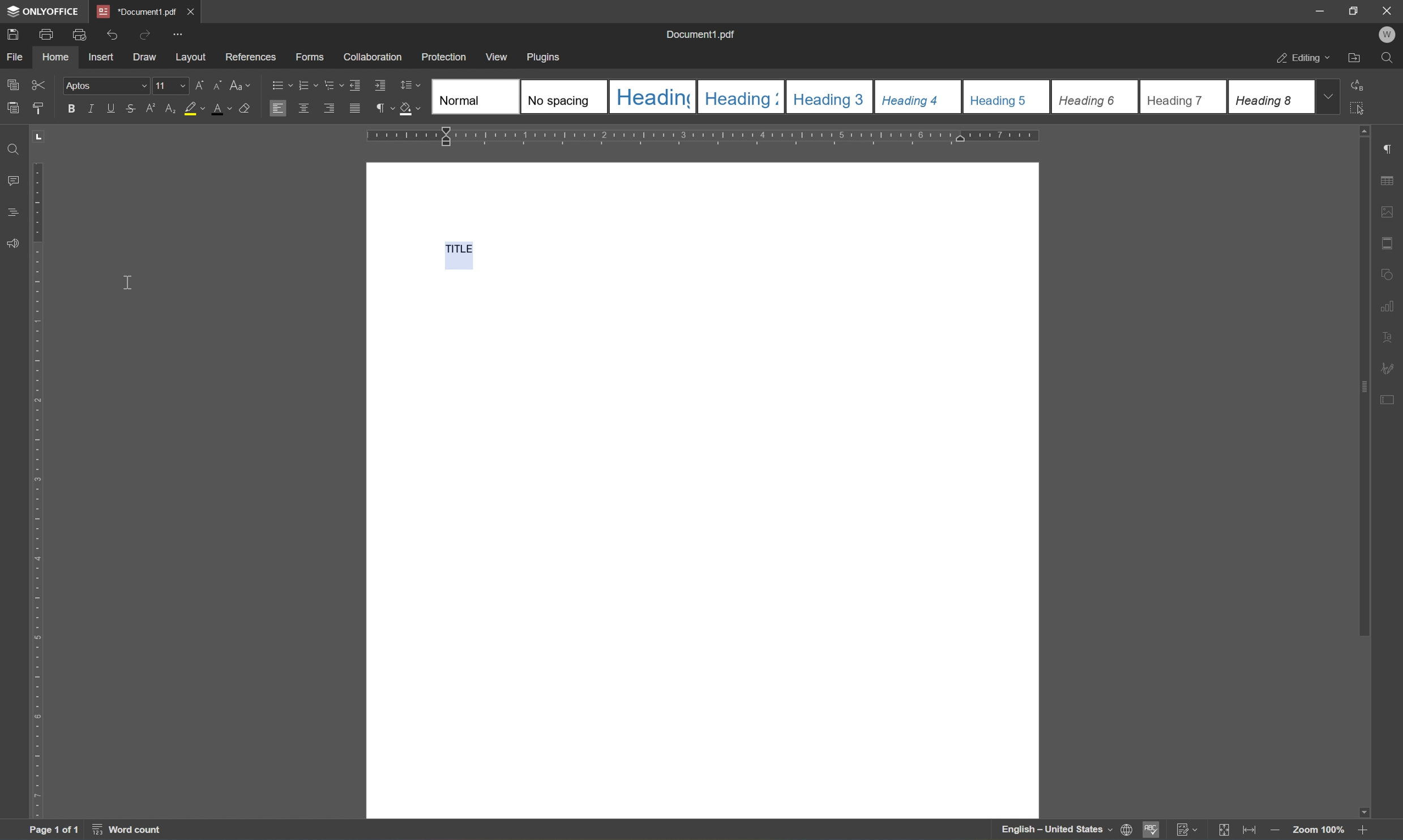  I want to click on replace, so click(1355, 86).